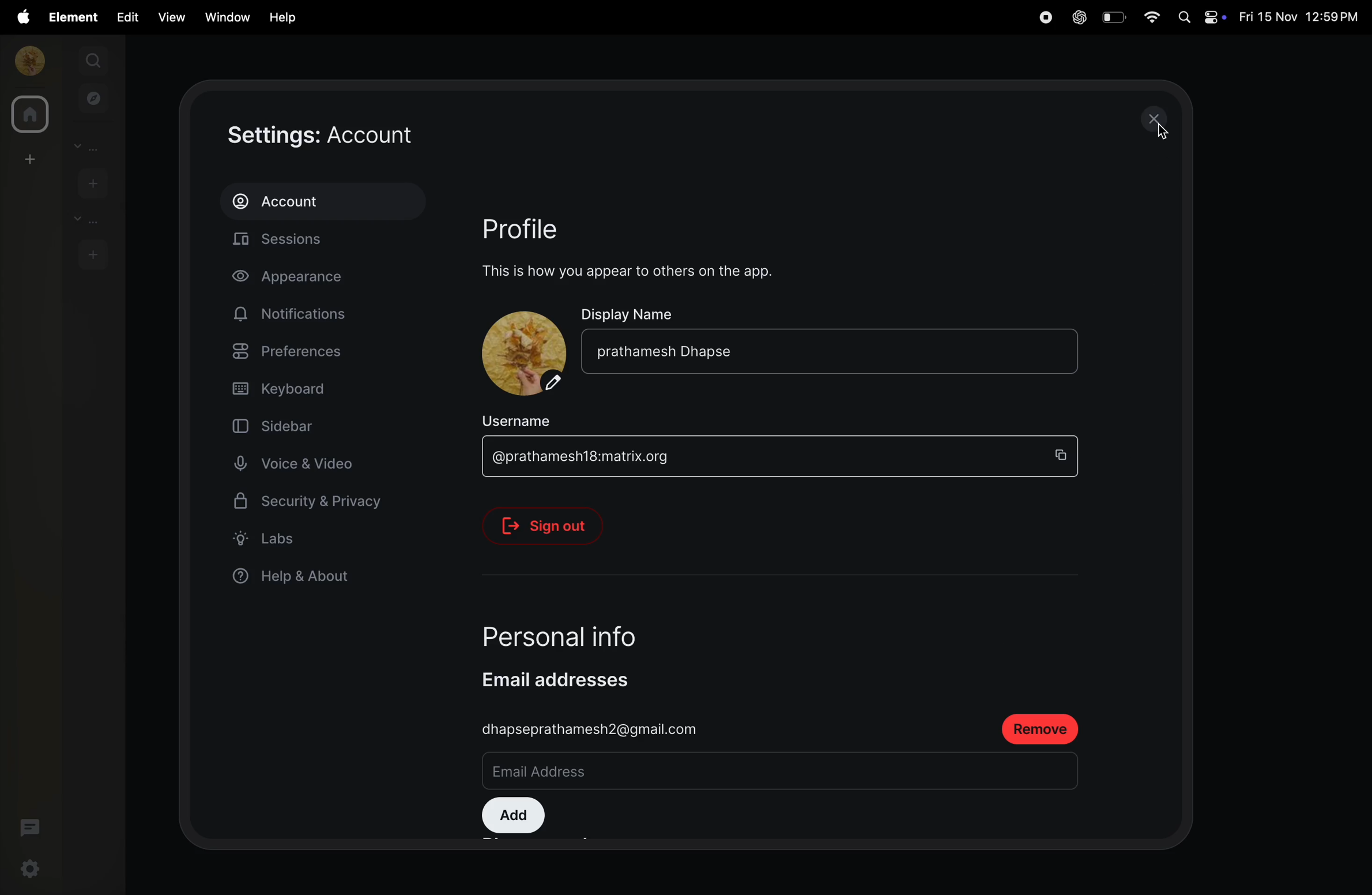  I want to click on apple menu, so click(22, 17).